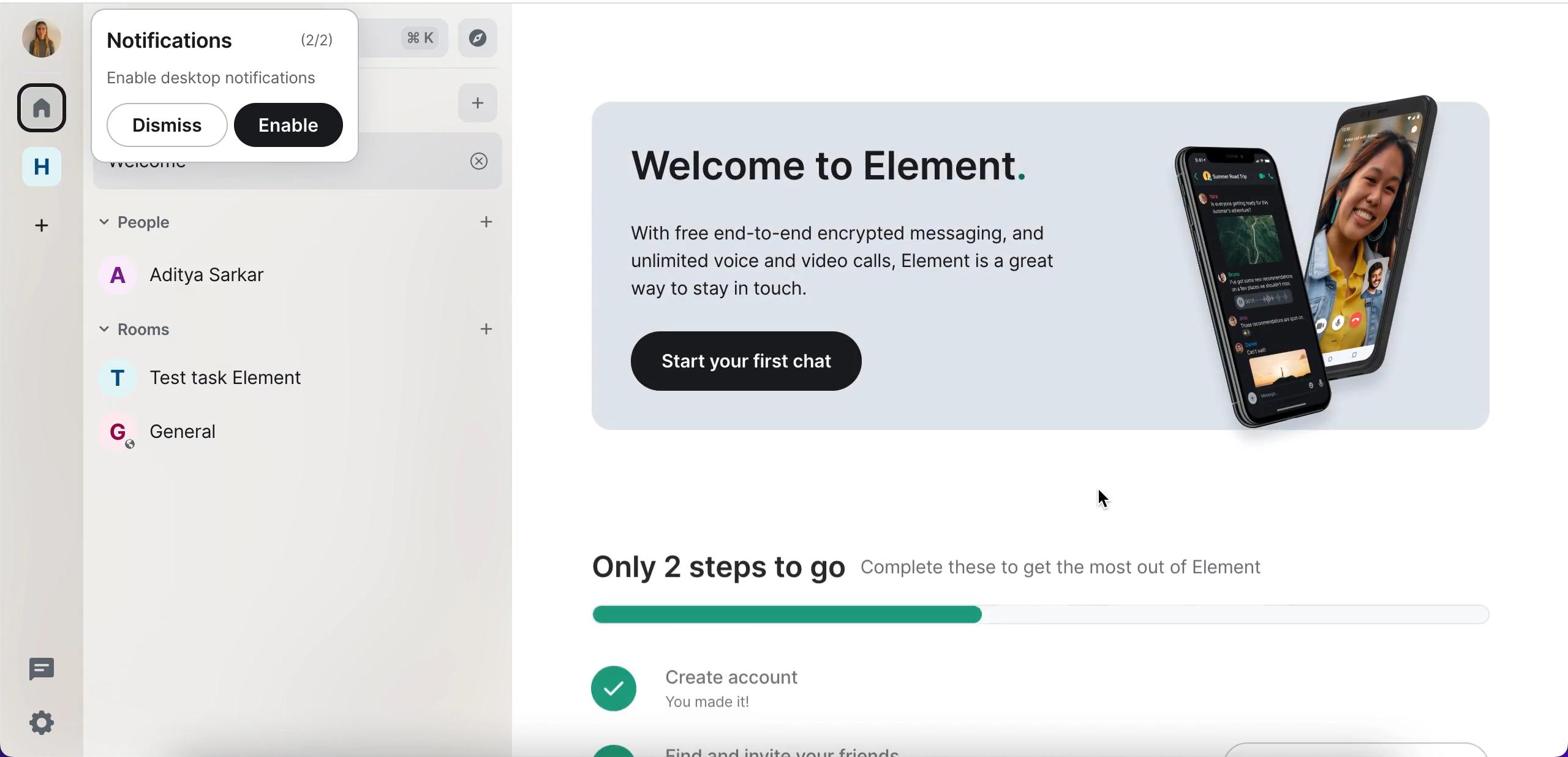  What do you see at coordinates (484, 38) in the screenshot?
I see `explore rooms` at bounding box center [484, 38].